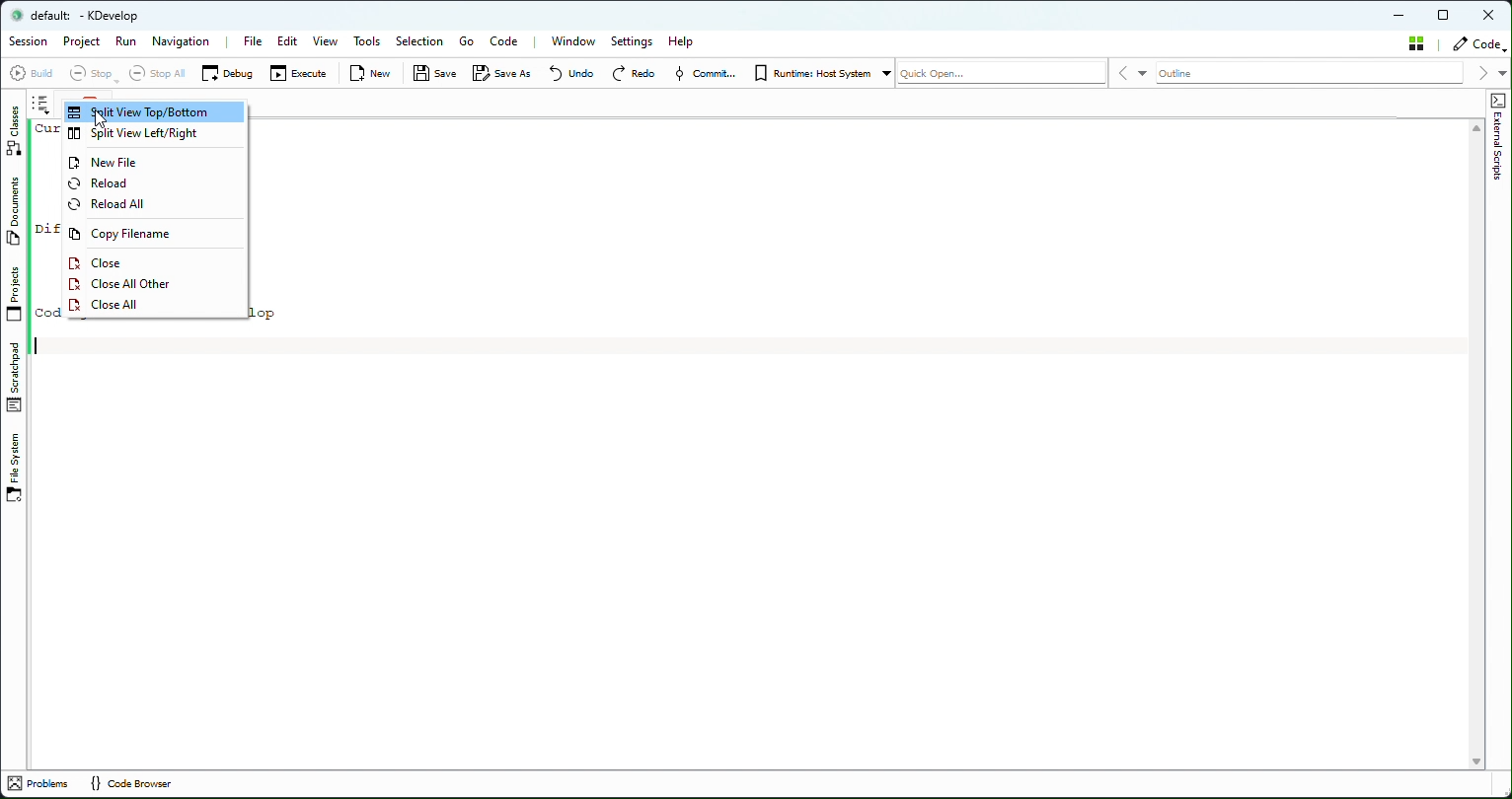 Image resolution: width=1512 pixels, height=799 pixels. Describe the element at coordinates (155, 262) in the screenshot. I see `Close` at that location.